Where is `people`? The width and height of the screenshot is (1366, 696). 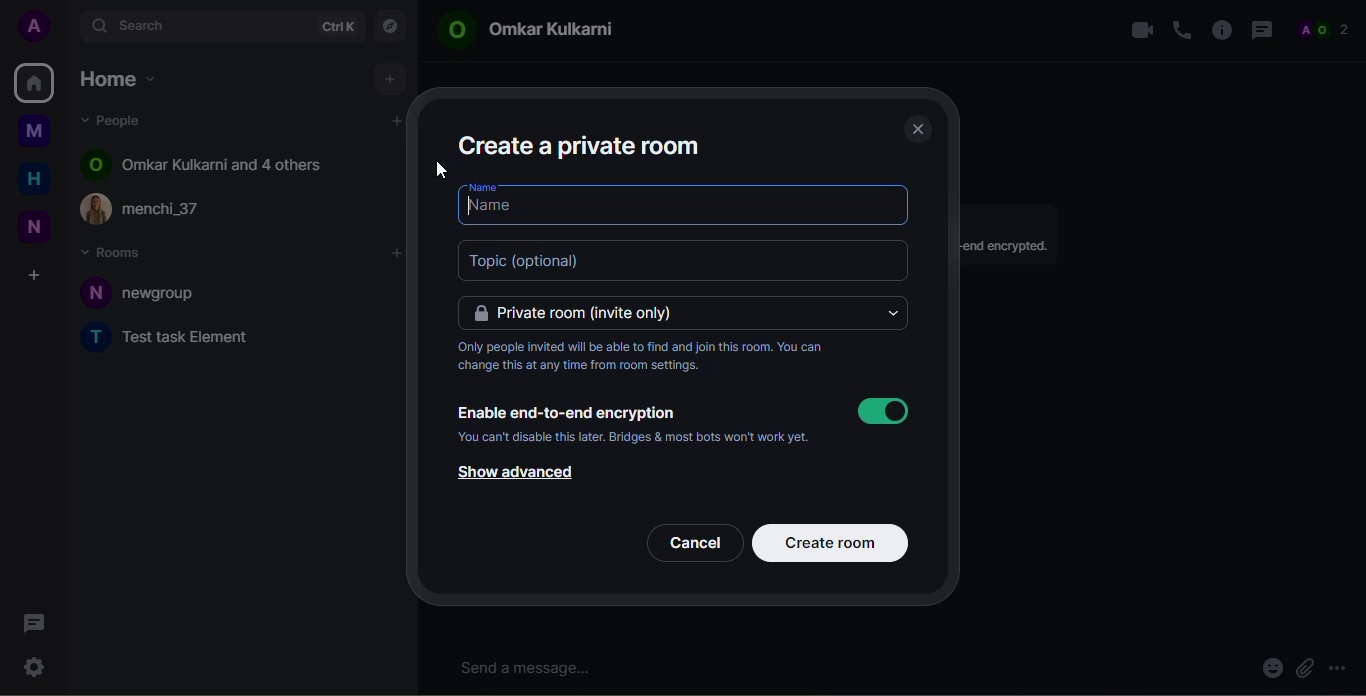 people is located at coordinates (120, 120).